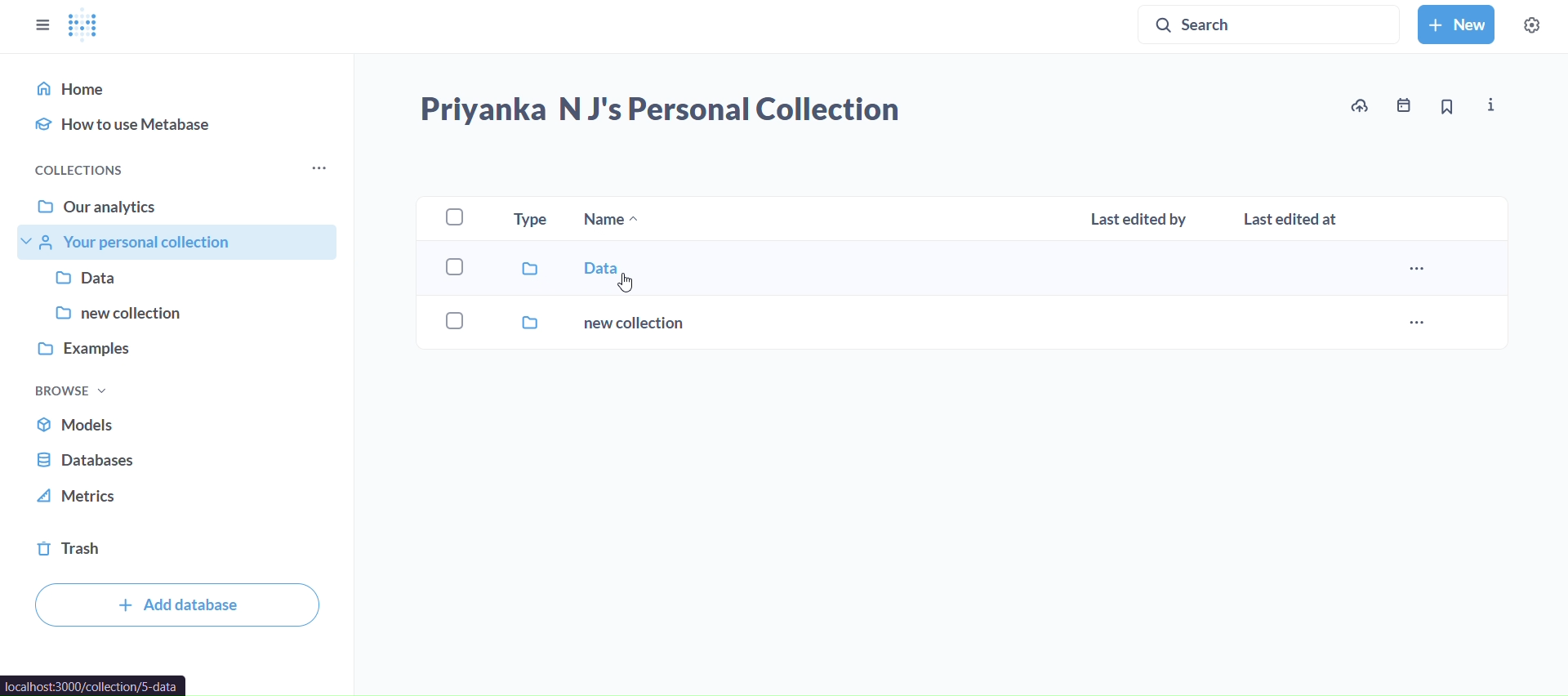 The height and width of the screenshot is (696, 1568). What do you see at coordinates (171, 550) in the screenshot?
I see `trash` at bounding box center [171, 550].